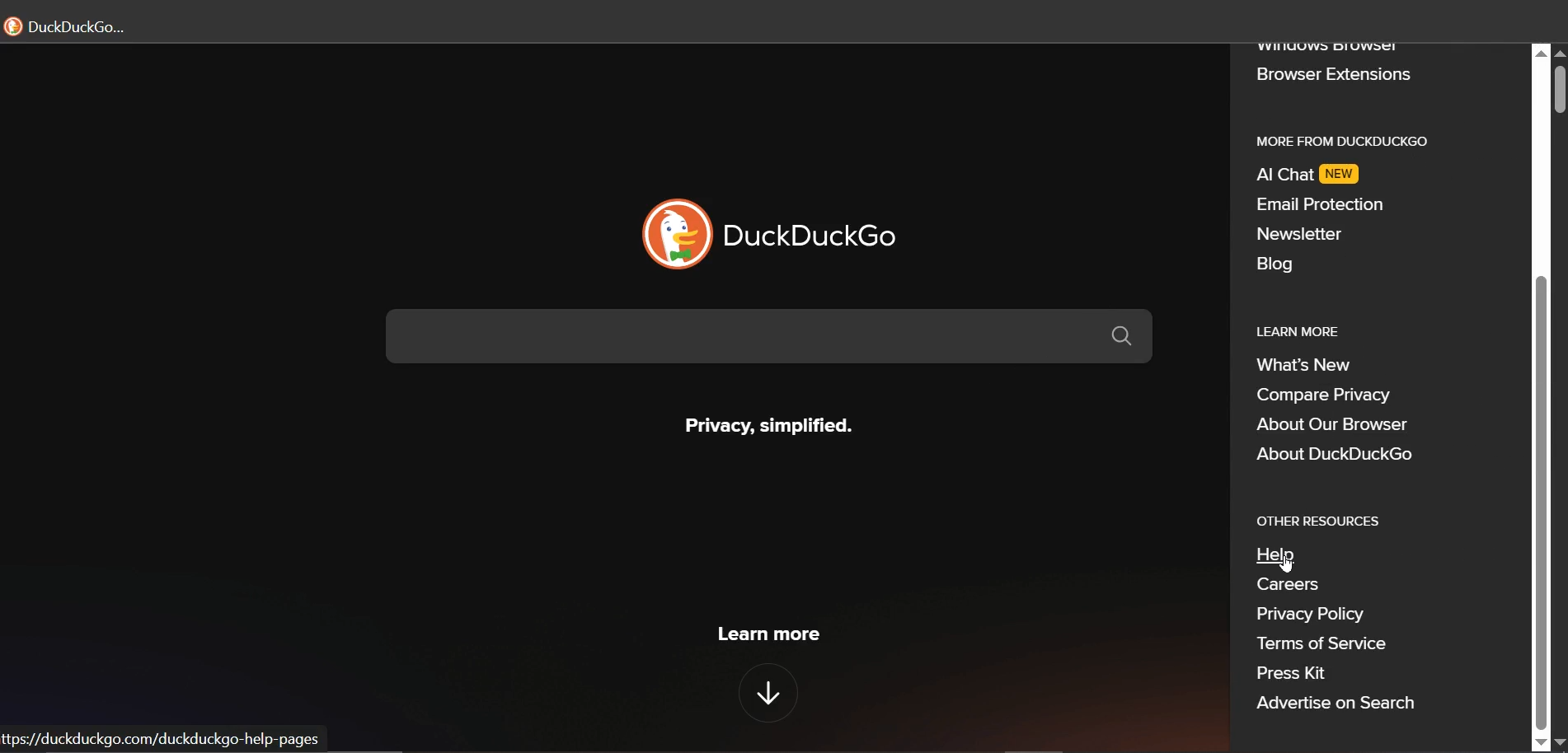 The width and height of the screenshot is (1568, 753). I want to click on Learn More, so click(1306, 330).